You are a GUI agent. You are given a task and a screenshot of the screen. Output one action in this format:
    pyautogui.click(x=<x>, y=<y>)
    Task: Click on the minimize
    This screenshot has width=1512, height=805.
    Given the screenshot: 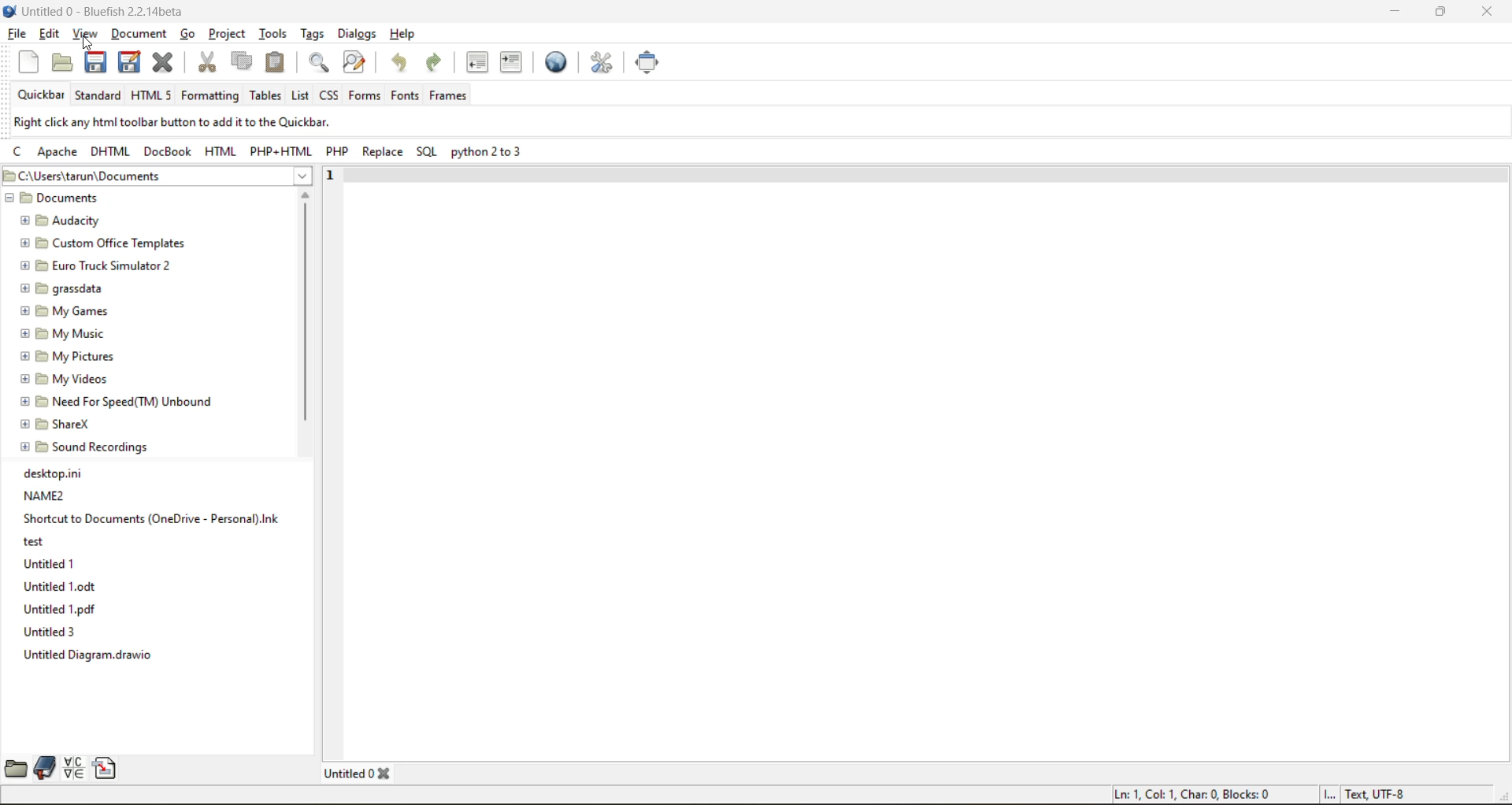 What is the action you would take?
    pyautogui.click(x=1402, y=14)
    